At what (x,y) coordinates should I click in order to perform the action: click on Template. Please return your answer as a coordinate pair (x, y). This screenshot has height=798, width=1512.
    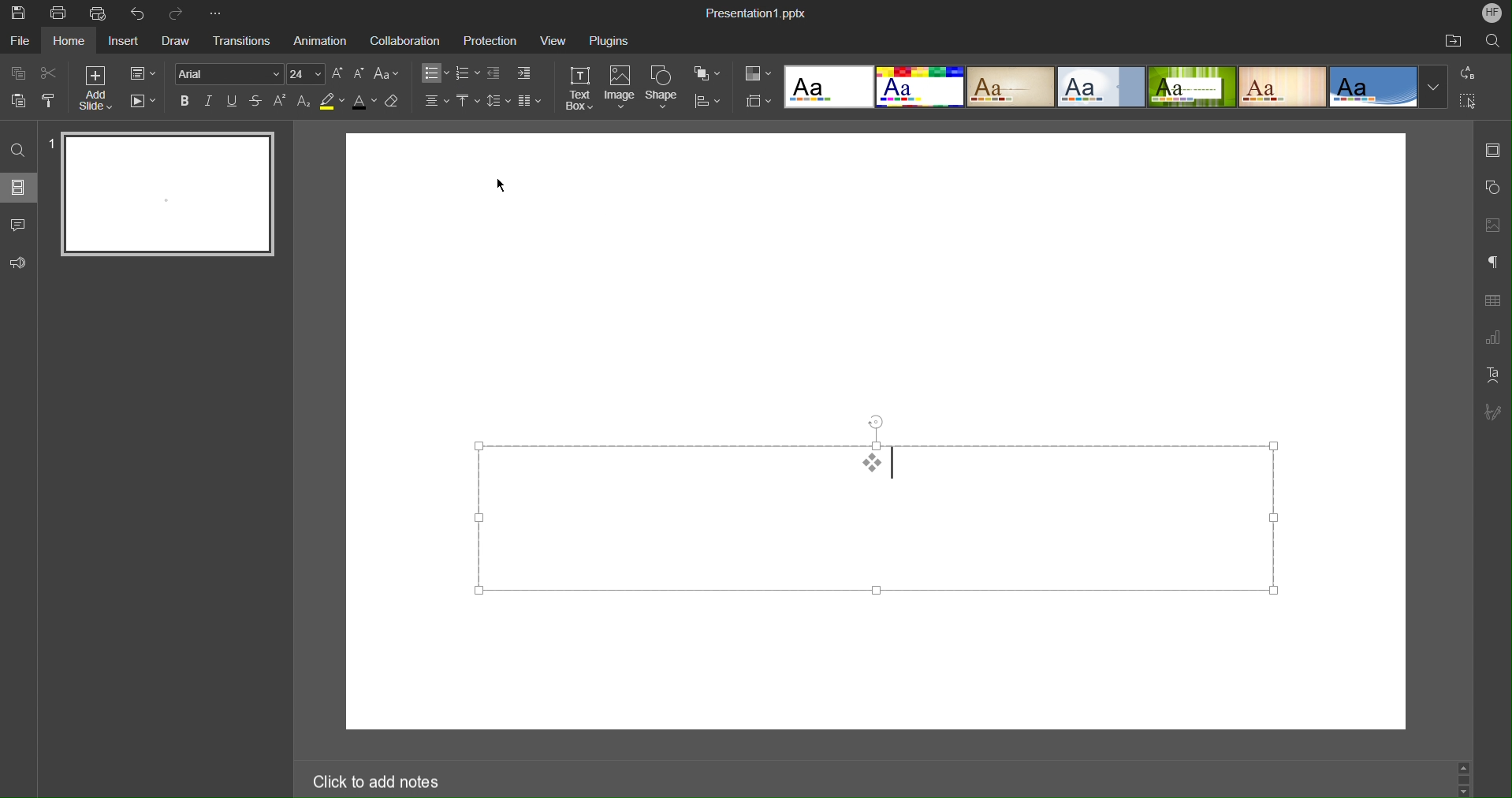
    Looking at the image, I should click on (826, 88).